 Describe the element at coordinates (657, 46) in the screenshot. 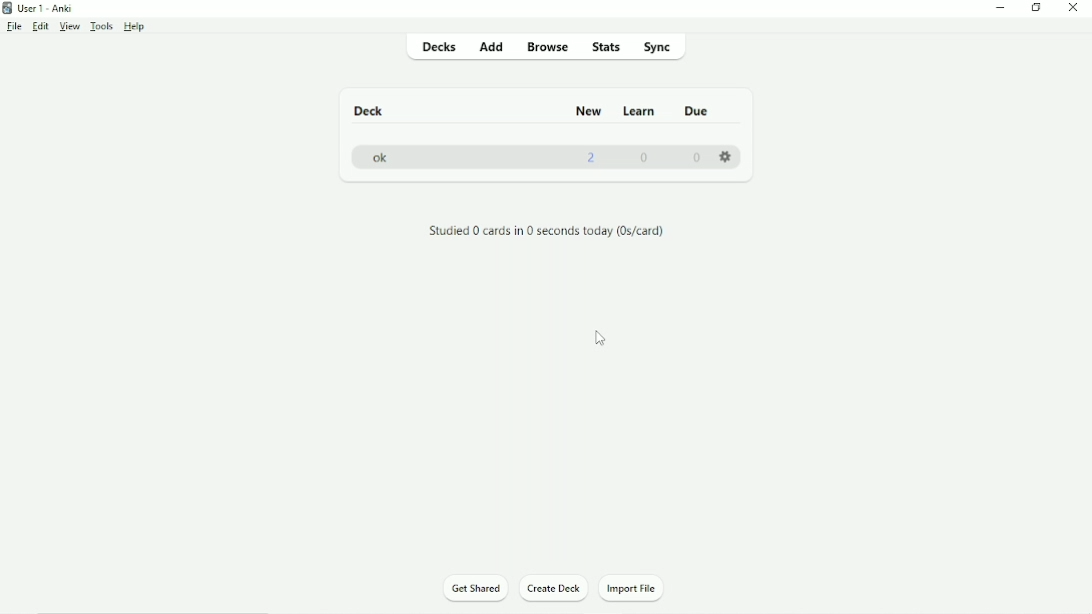

I see `Sync` at that location.